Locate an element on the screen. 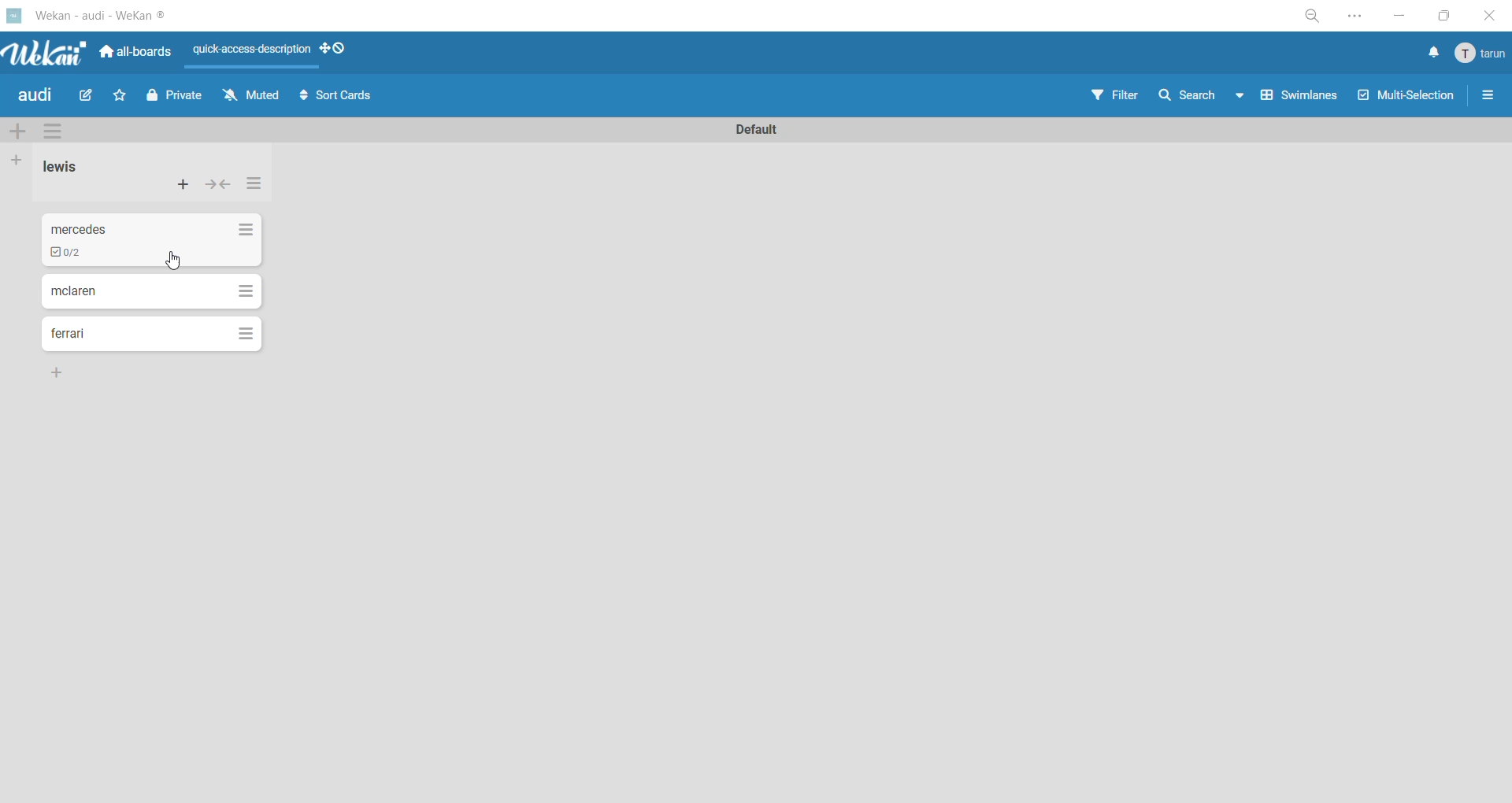 The width and height of the screenshot is (1512, 803). swimlane title is located at coordinates (760, 130).